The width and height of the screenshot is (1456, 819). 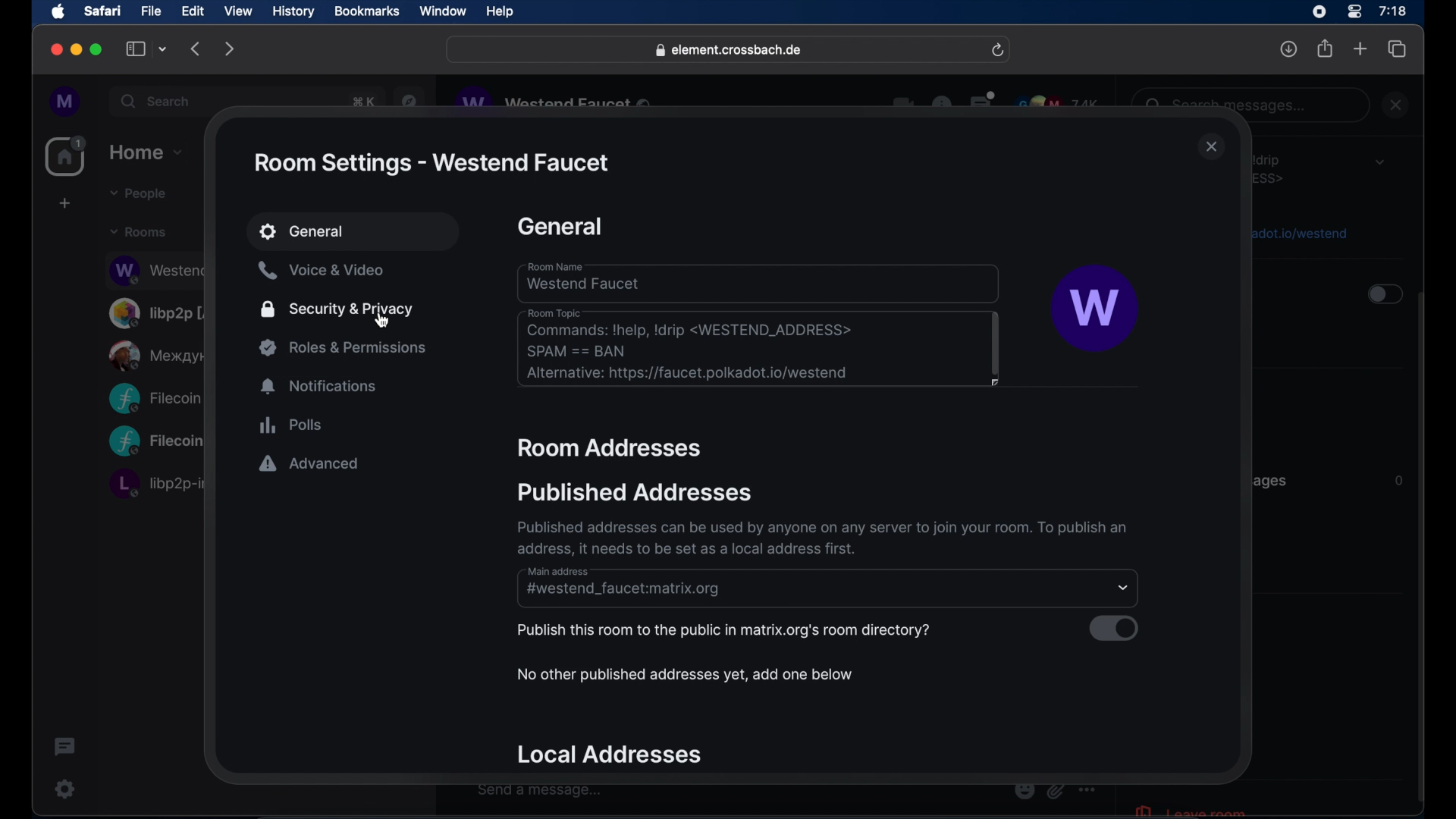 What do you see at coordinates (1298, 232) in the screenshot?
I see `obscure` at bounding box center [1298, 232].